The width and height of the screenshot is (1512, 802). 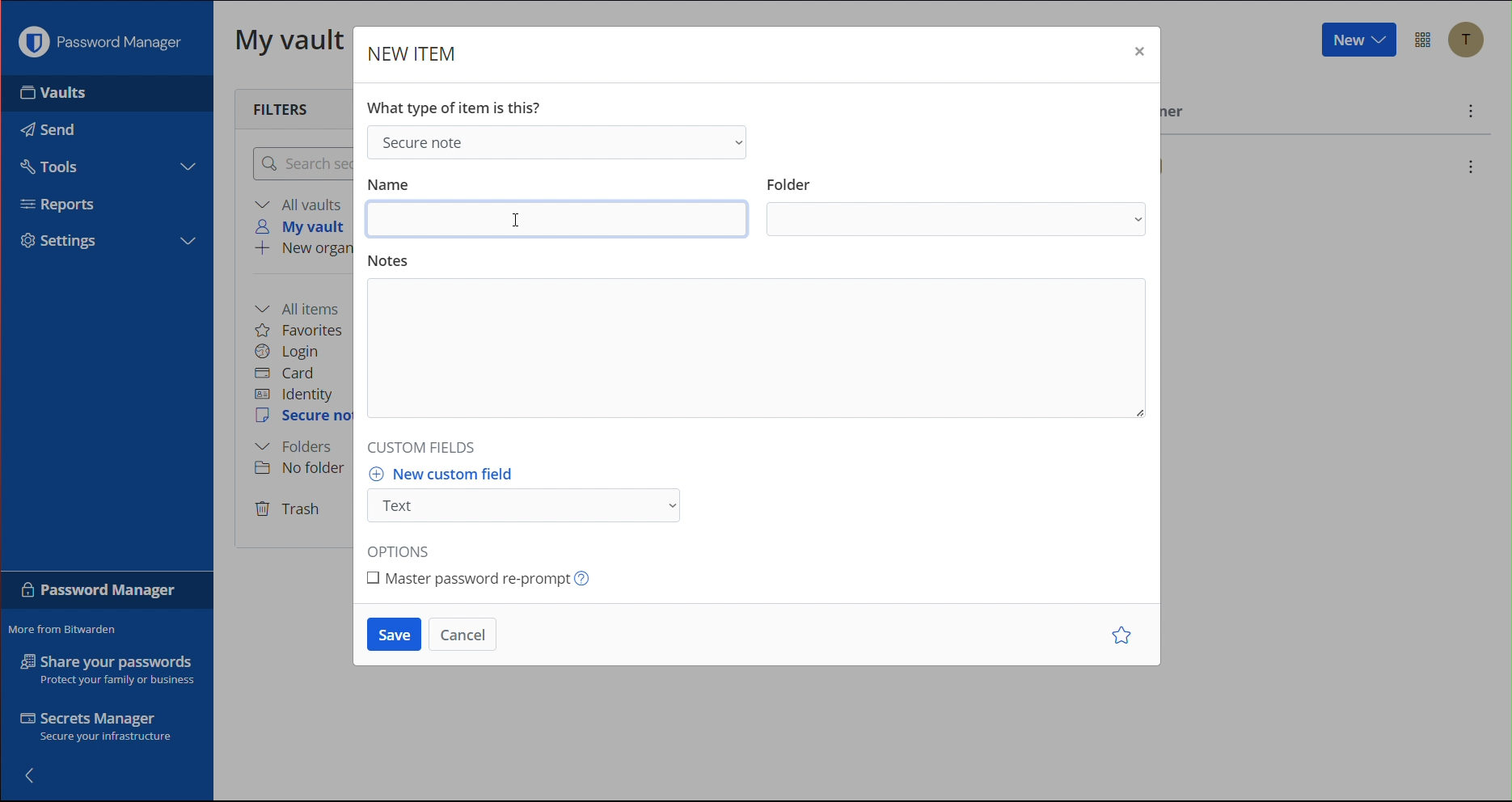 What do you see at coordinates (294, 395) in the screenshot?
I see `Identity` at bounding box center [294, 395].